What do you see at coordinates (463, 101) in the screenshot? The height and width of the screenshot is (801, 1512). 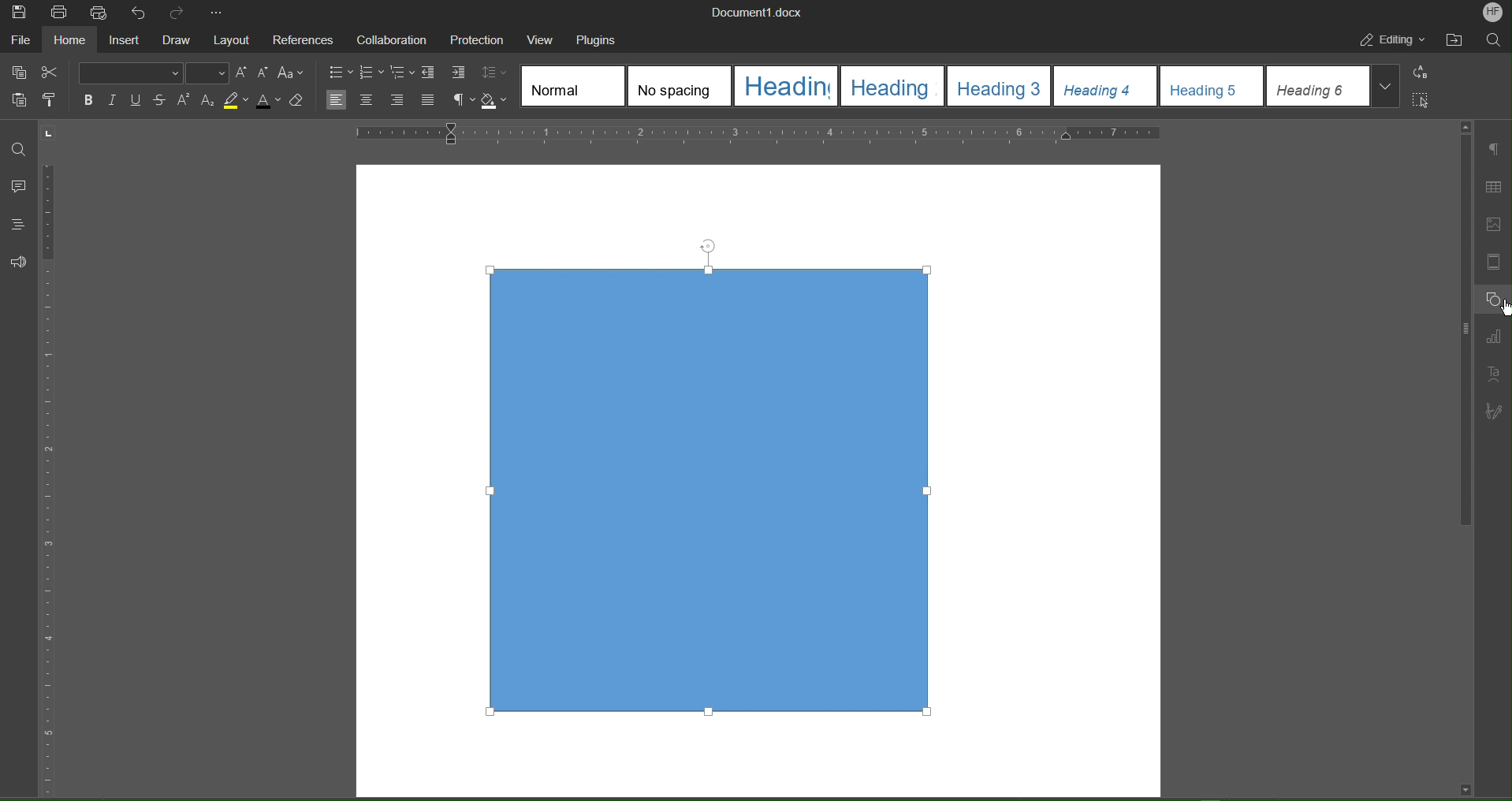 I see `Non-Printing Characters` at bounding box center [463, 101].